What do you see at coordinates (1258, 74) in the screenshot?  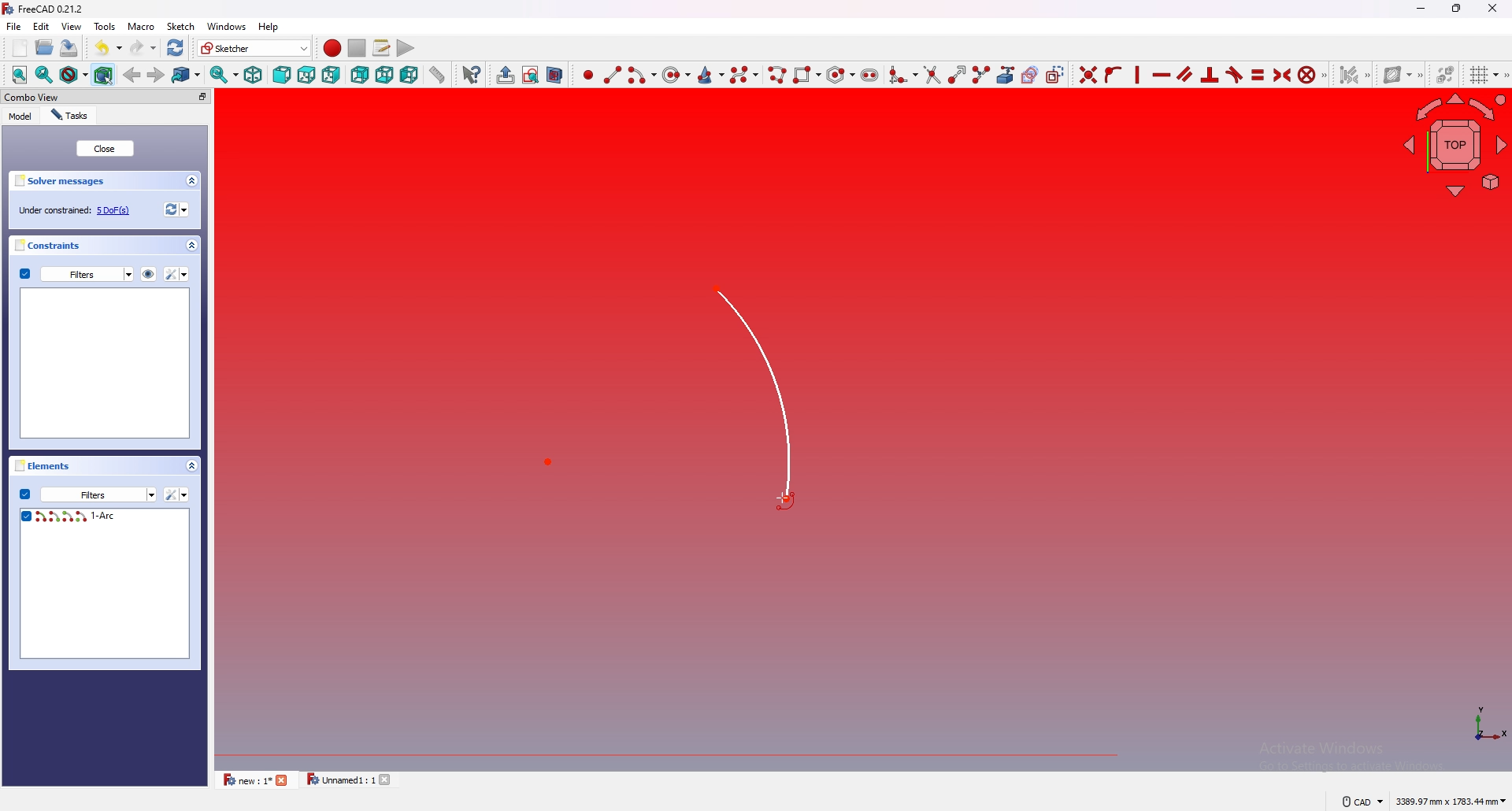 I see `constrain equal` at bounding box center [1258, 74].